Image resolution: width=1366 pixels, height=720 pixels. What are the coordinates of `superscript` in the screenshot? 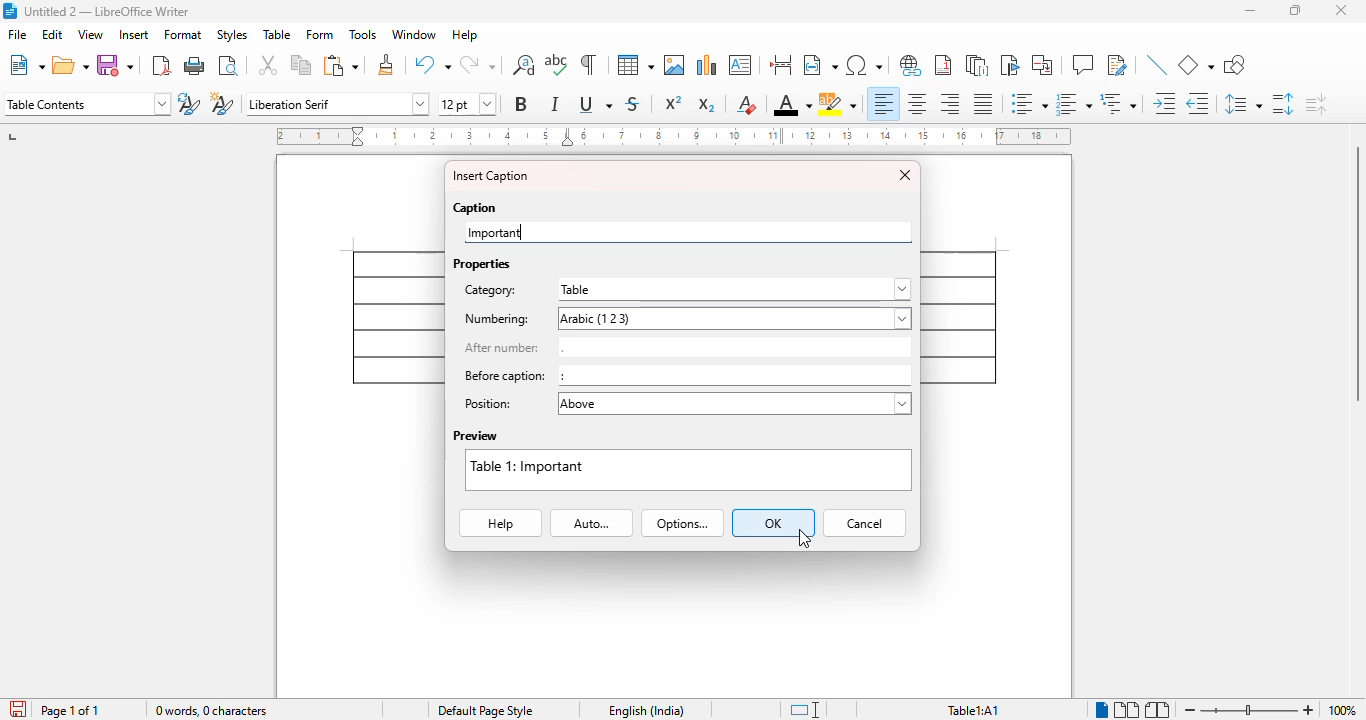 It's located at (674, 102).